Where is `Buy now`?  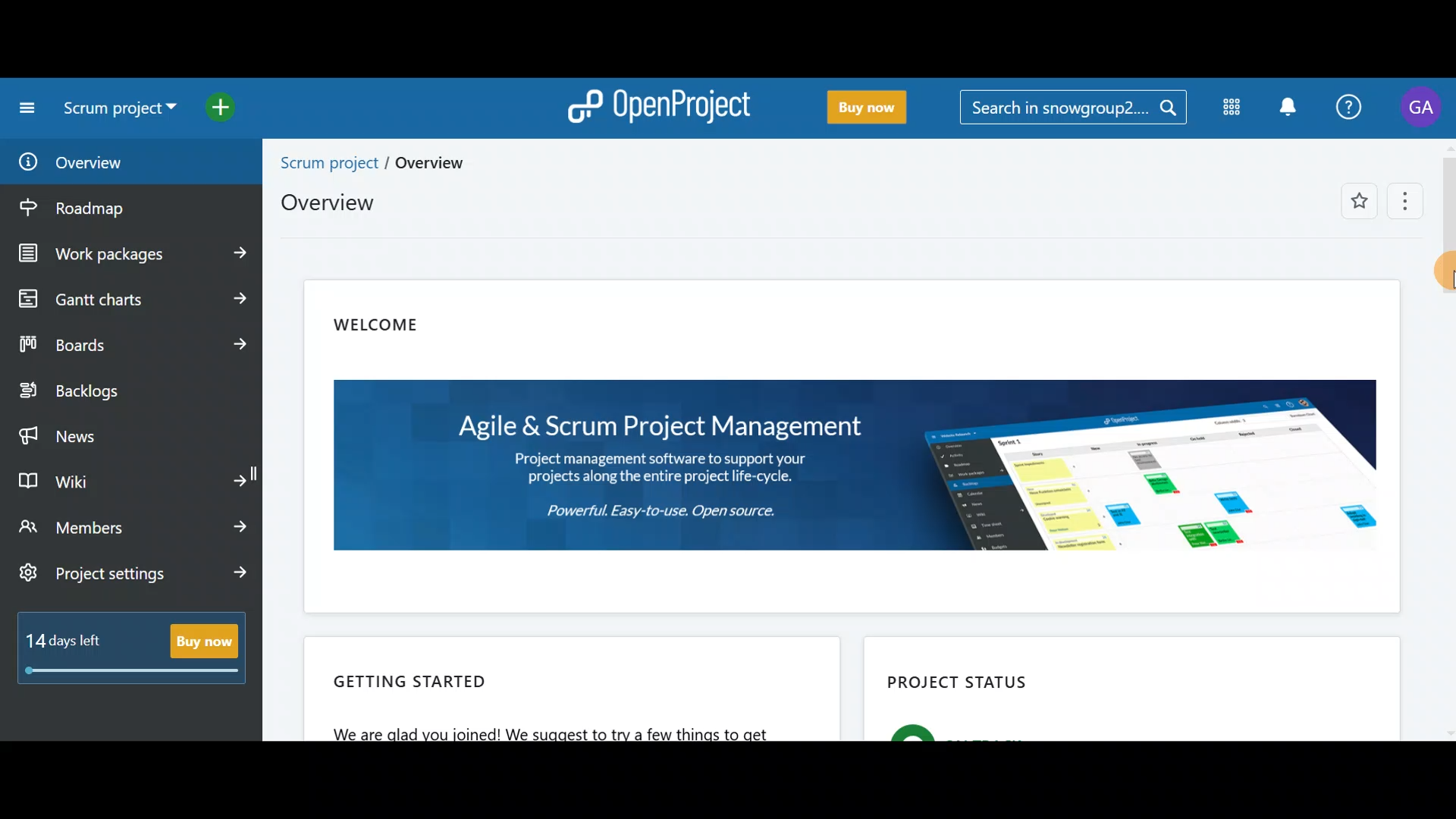 Buy now is located at coordinates (877, 108).